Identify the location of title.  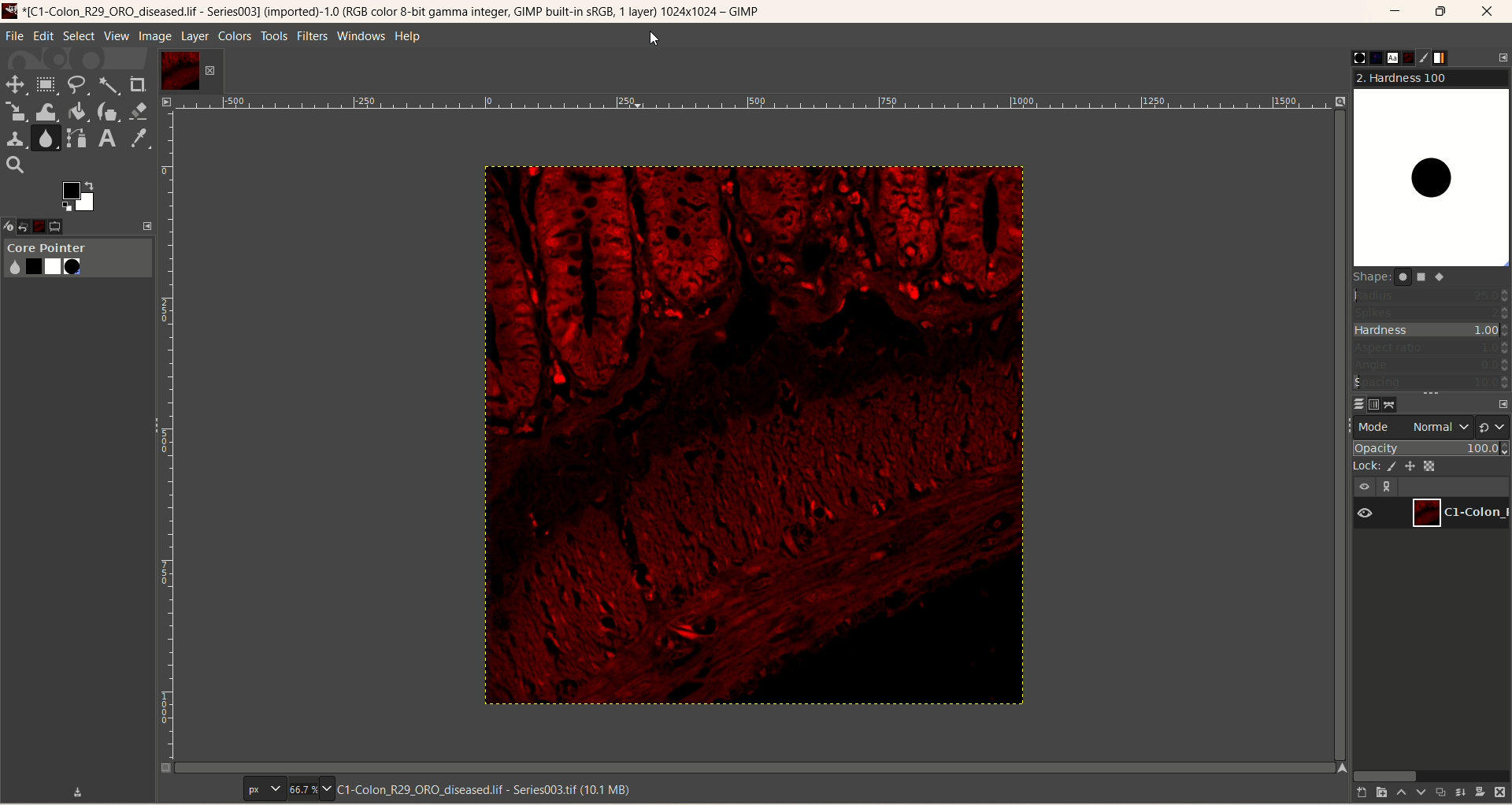
(400, 13).